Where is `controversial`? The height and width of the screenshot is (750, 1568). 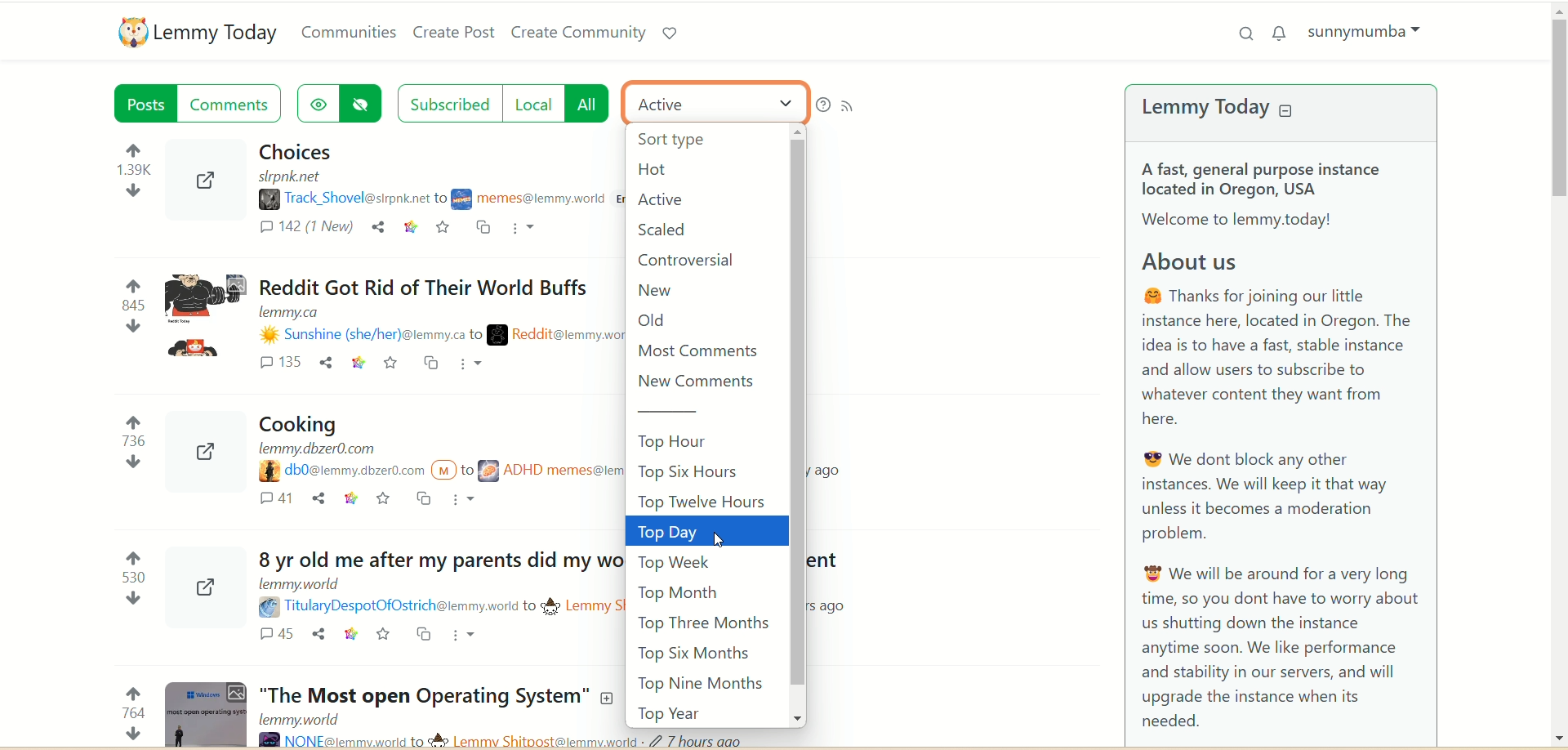
controversial is located at coordinates (694, 259).